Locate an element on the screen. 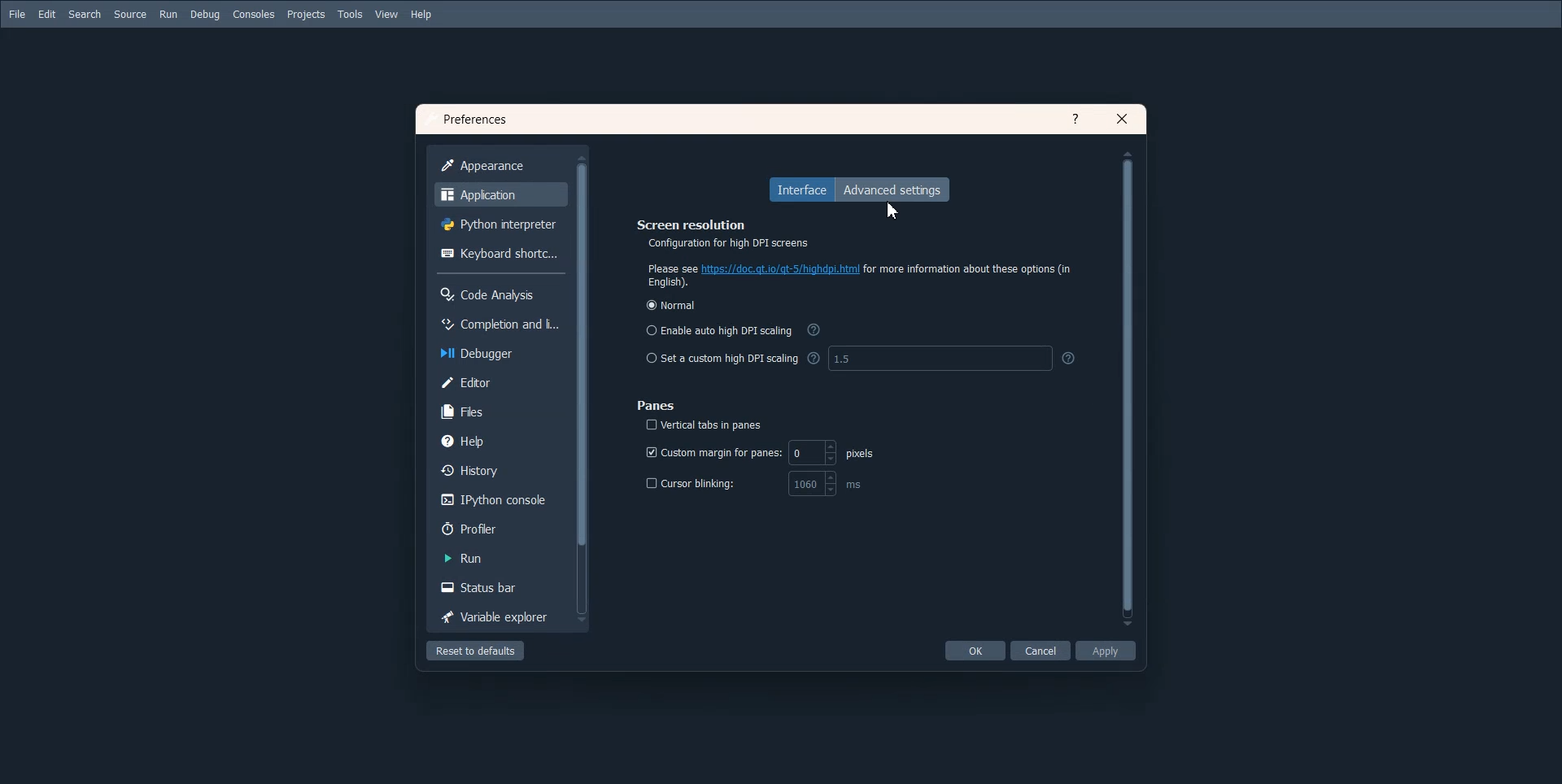 Image resolution: width=1562 pixels, height=784 pixels. Help is located at coordinates (500, 440).